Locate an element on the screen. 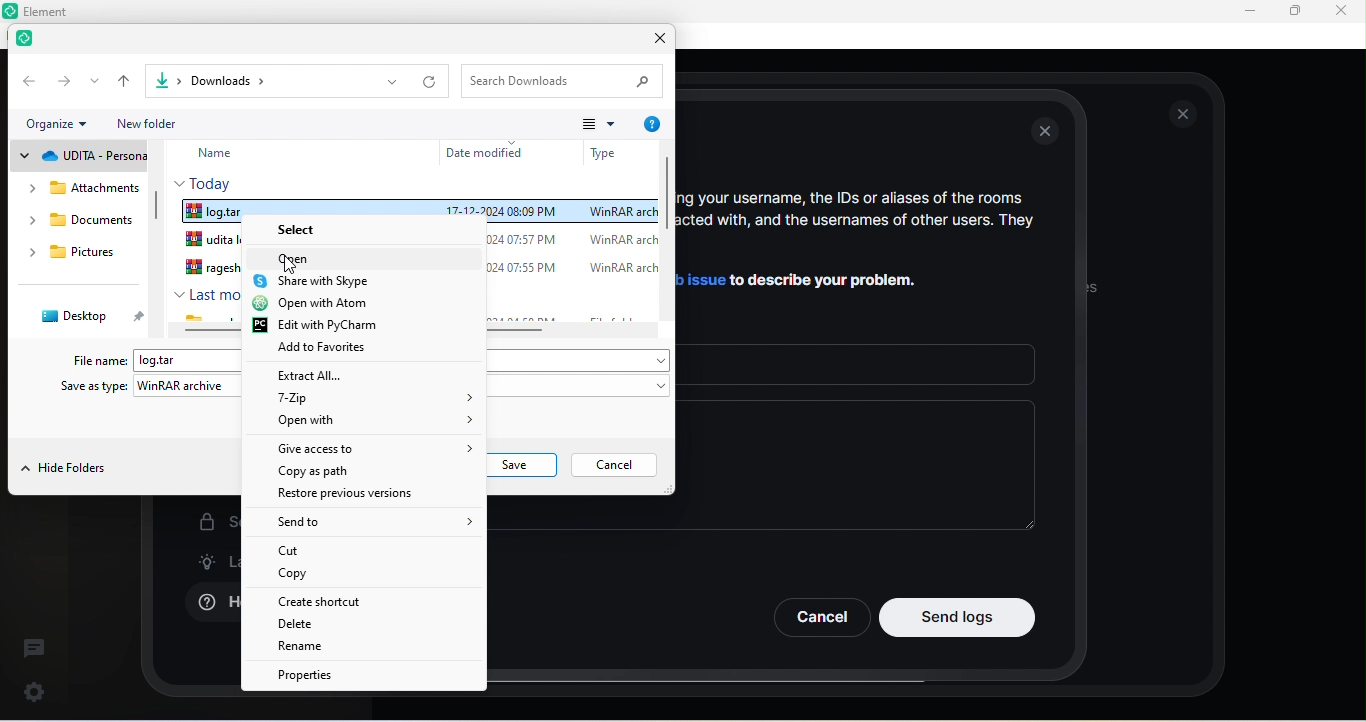 The width and height of the screenshot is (1366, 722). search is located at coordinates (566, 80).